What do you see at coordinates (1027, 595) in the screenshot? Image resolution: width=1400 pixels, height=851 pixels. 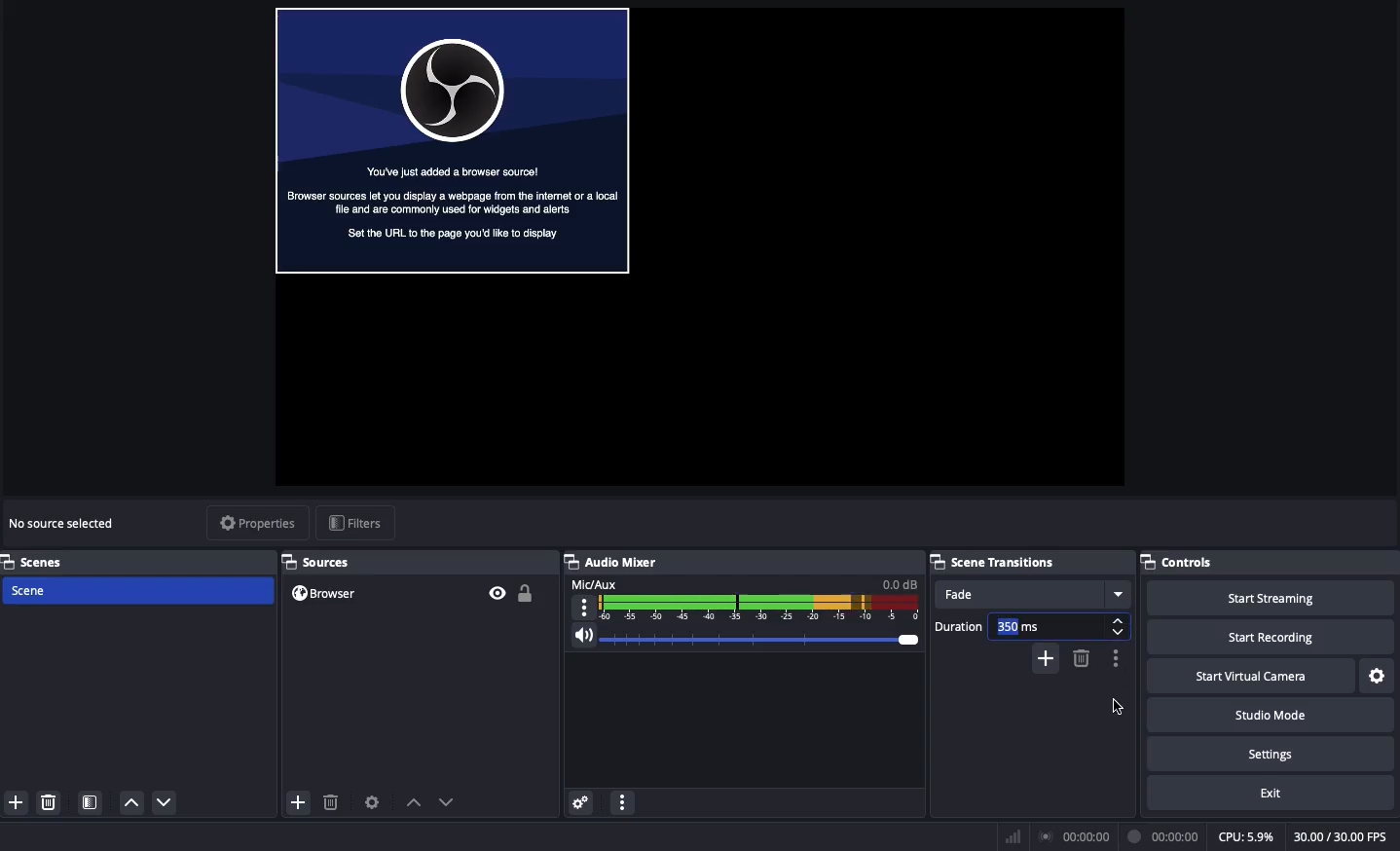 I see `Fade` at bounding box center [1027, 595].